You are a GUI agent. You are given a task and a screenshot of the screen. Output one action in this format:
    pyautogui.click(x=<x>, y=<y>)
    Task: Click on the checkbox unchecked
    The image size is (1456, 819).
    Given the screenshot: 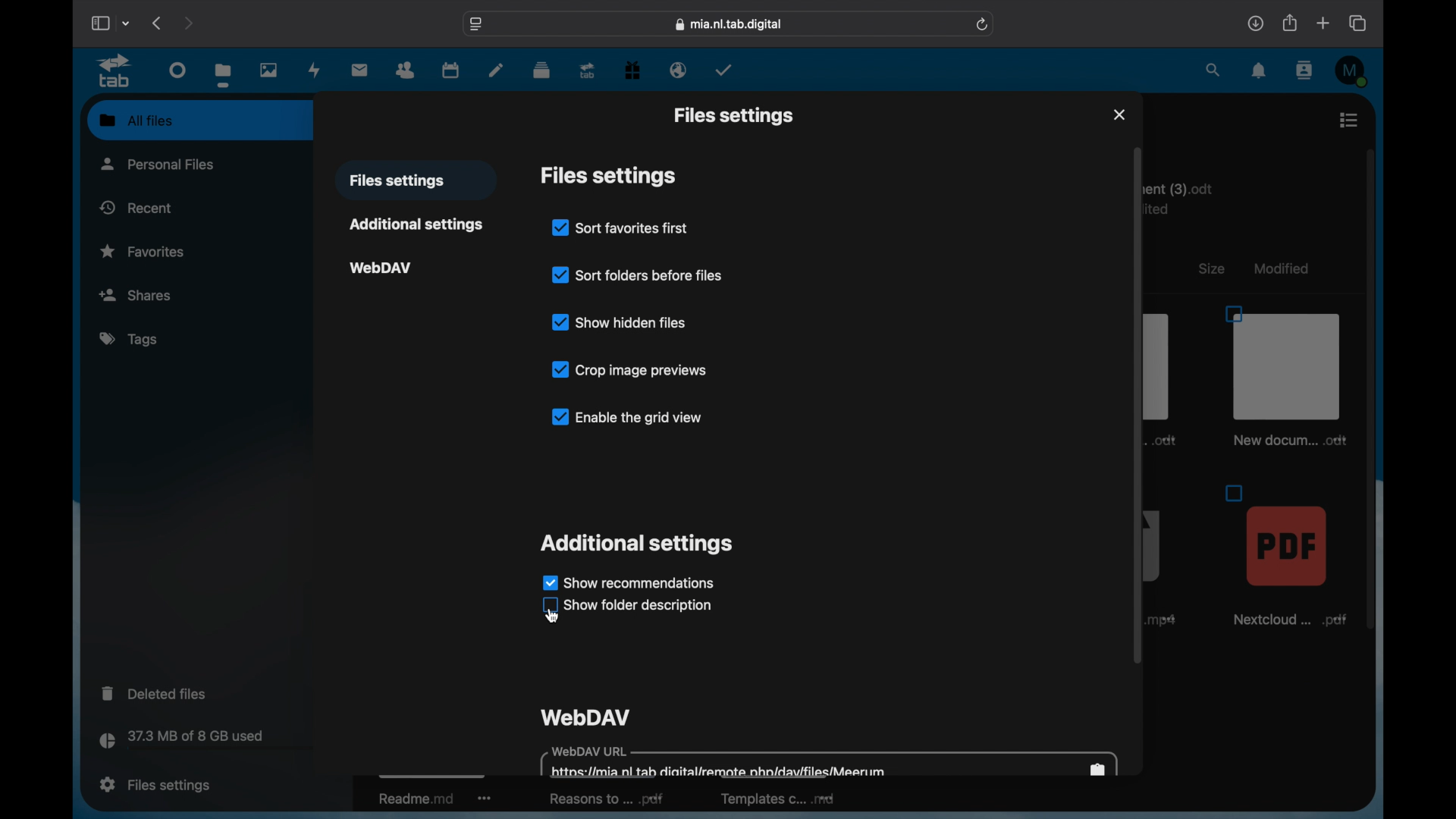 What is the action you would take?
    pyautogui.click(x=548, y=605)
    